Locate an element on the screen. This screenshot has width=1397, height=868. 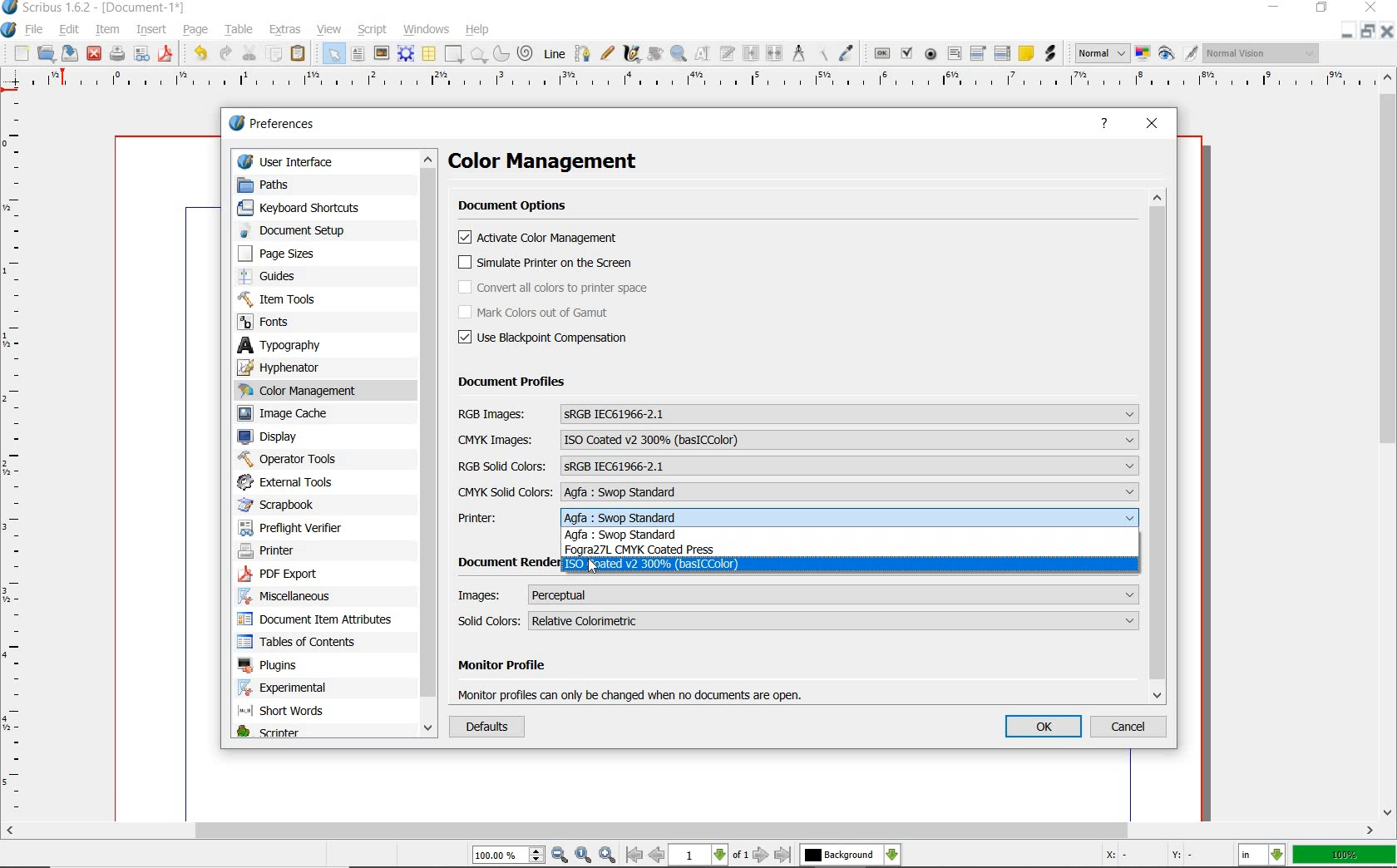
visual appearance of the display is located at coordinates (1261, 55).